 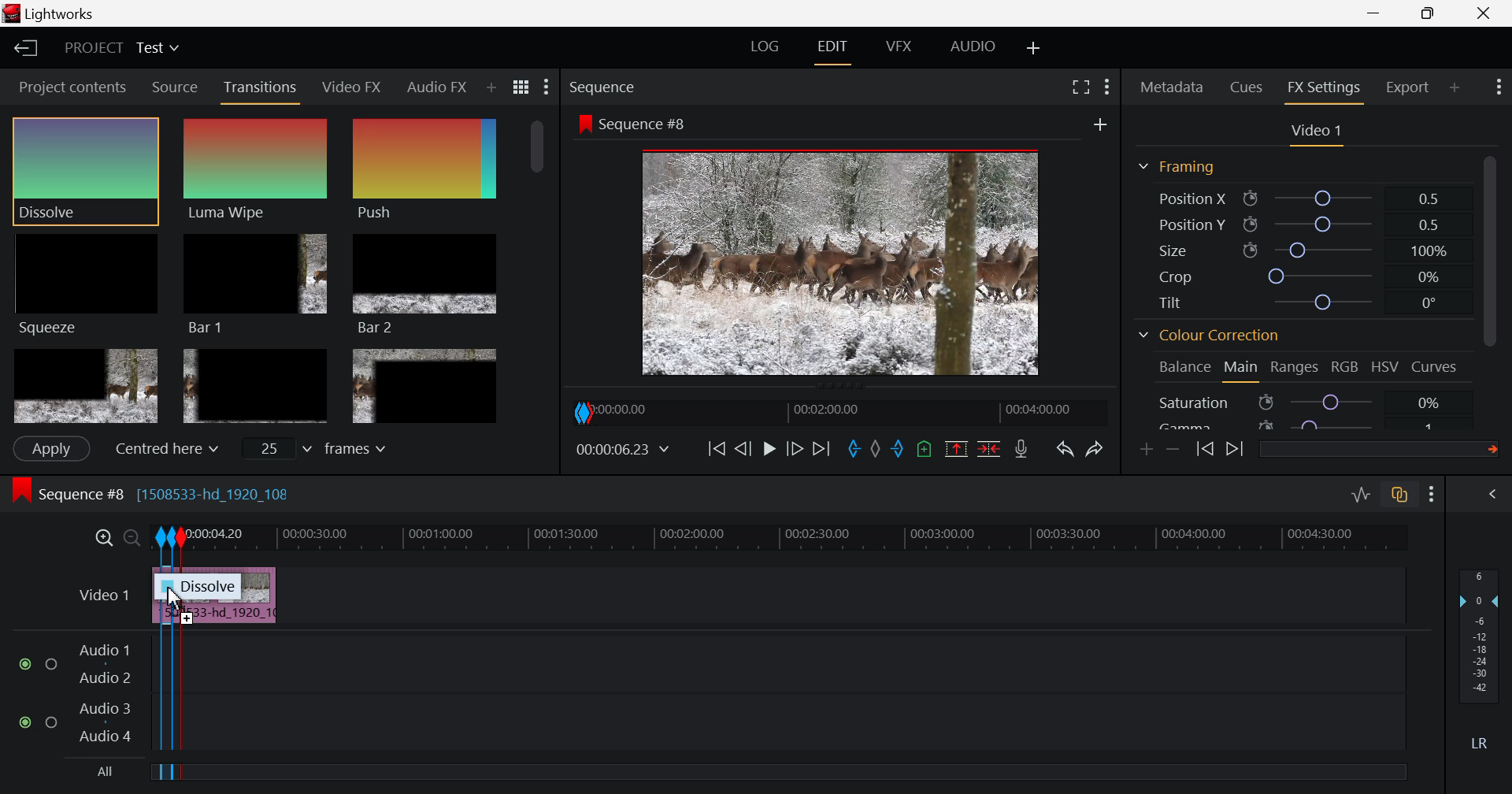 I want to click on Metadata Tab, so click(x=1172, y=87).